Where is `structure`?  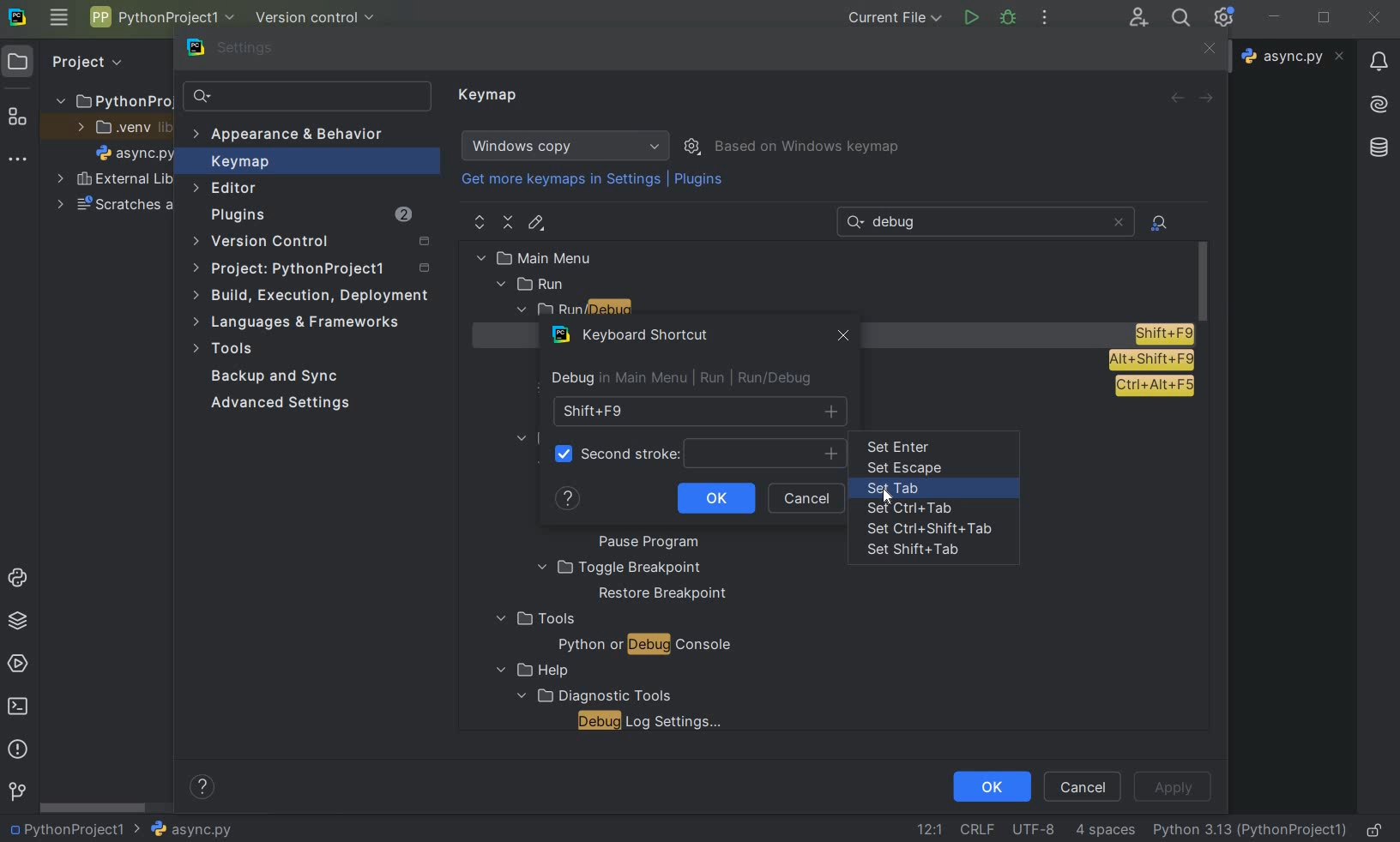 structure is located at coordinates (18, 118).